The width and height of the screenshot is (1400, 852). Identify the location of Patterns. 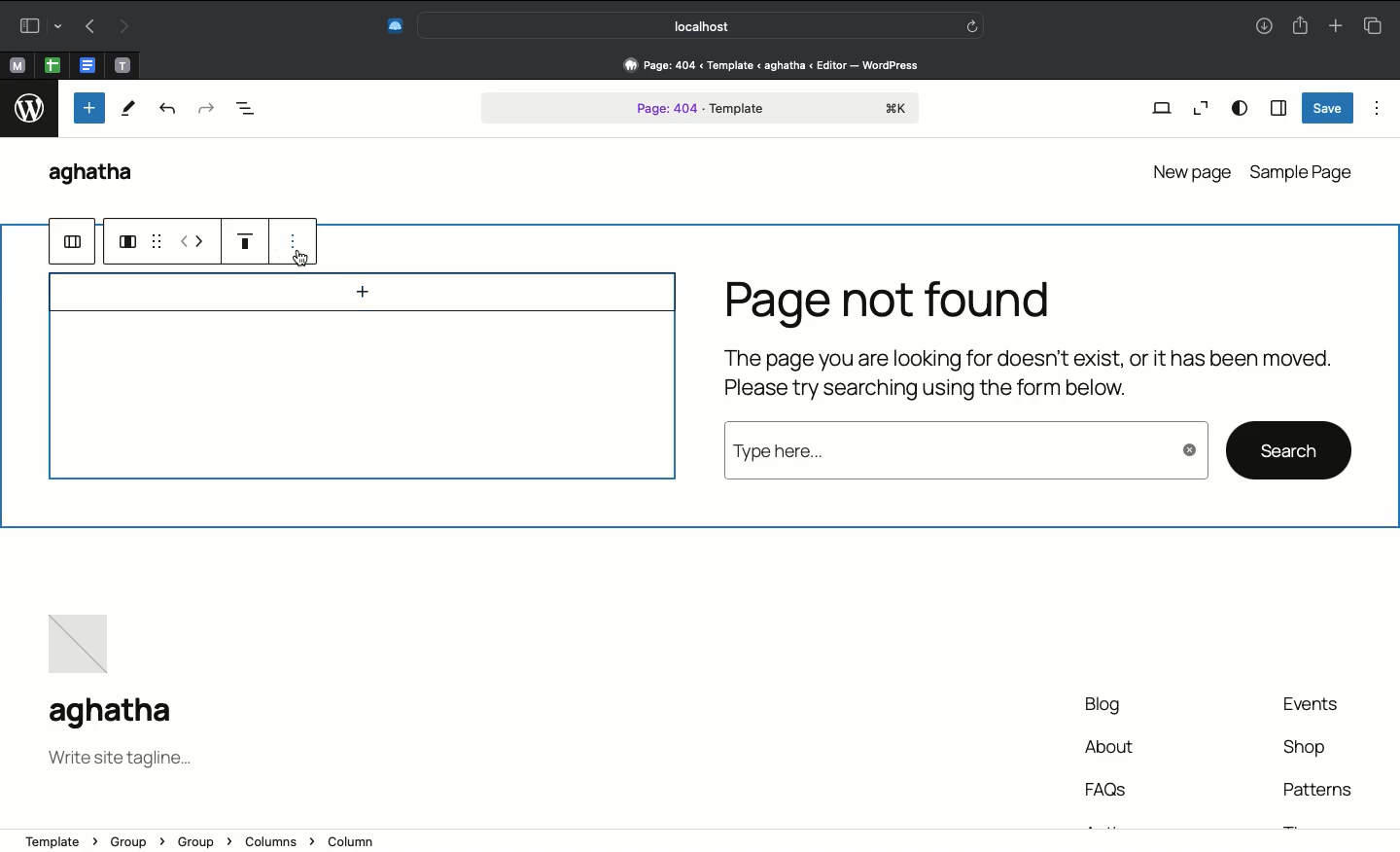
(1315, 790).